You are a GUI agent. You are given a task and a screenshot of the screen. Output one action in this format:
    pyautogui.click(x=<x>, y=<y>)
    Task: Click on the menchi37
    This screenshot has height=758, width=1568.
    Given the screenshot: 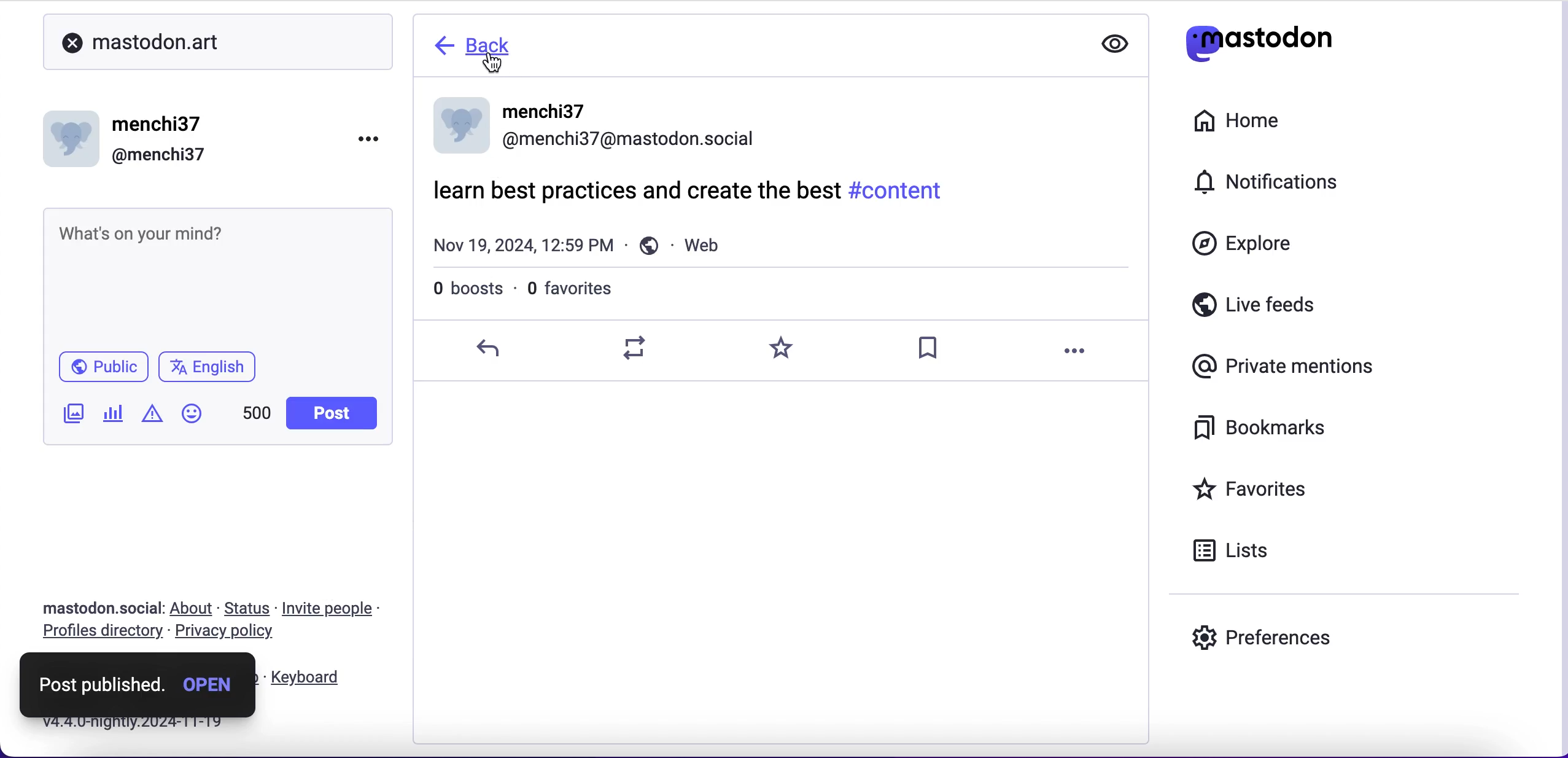 What is the action you would take?
    pyautogui.click(x=159, y=125)
    